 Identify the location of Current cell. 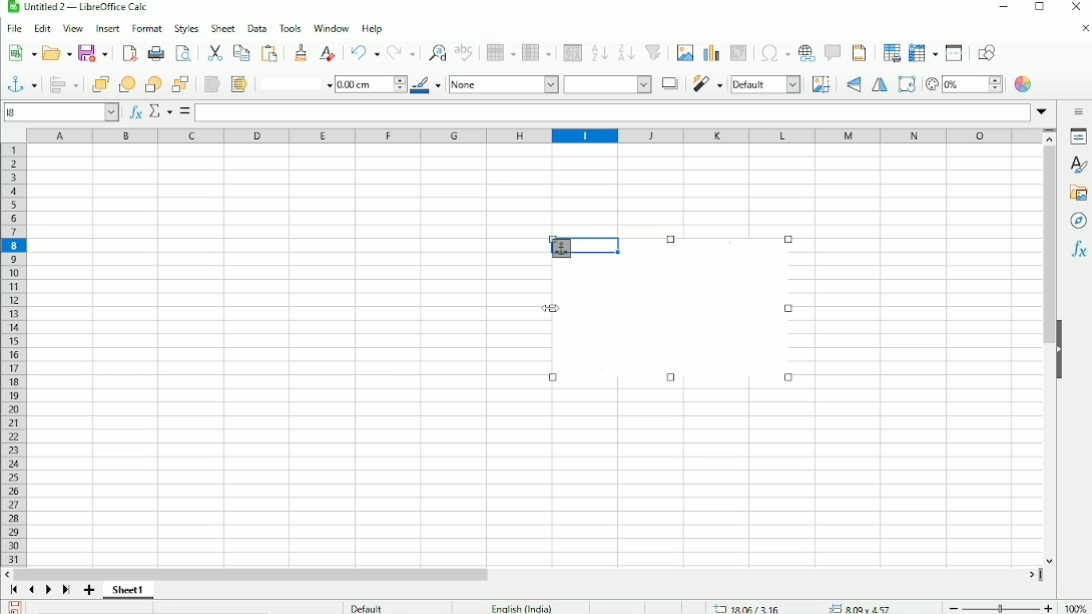
(62, 111).